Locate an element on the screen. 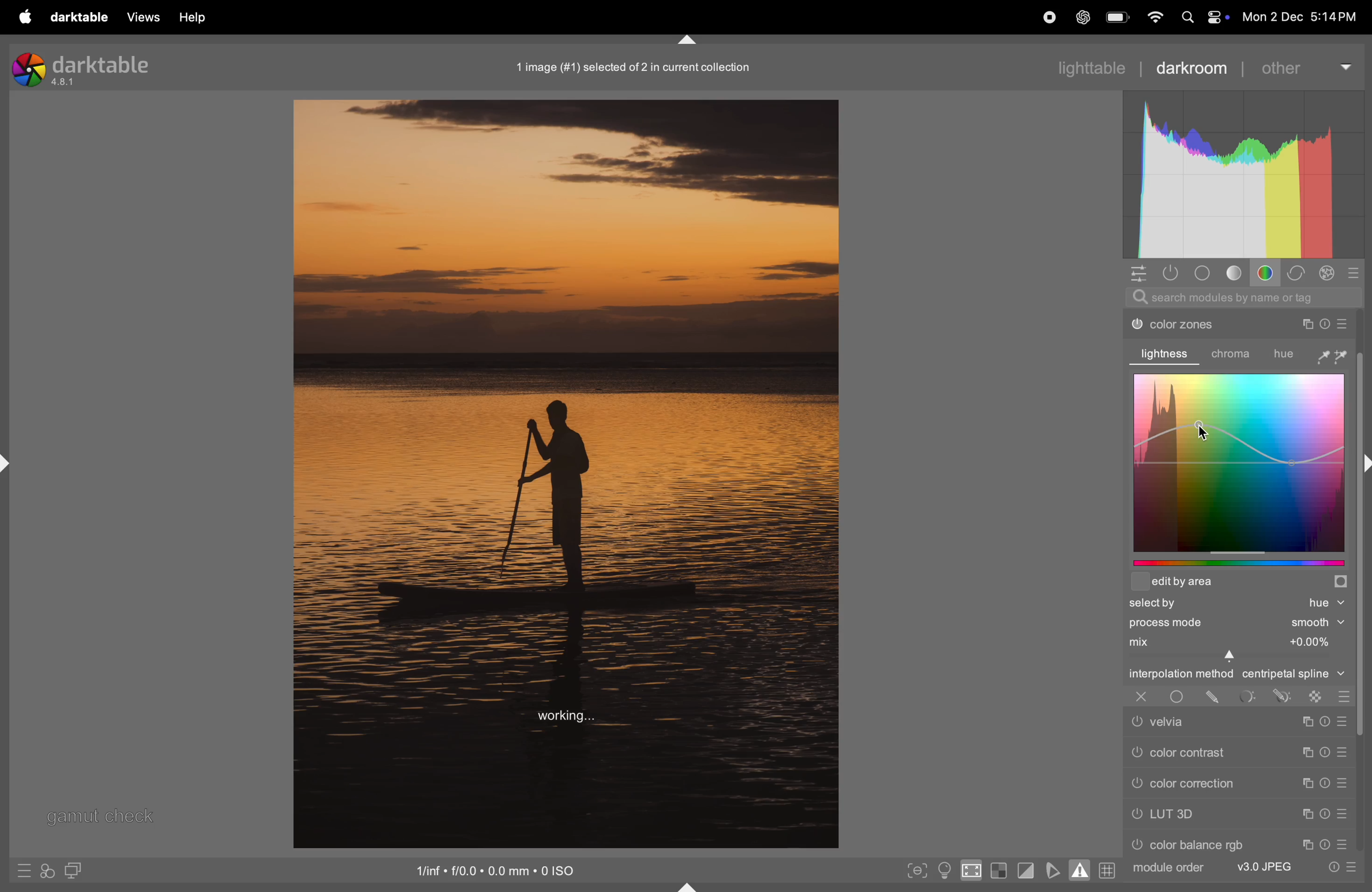 This screenshot has width=1372, height=892. iso standard is located at coordinates (499, 873).